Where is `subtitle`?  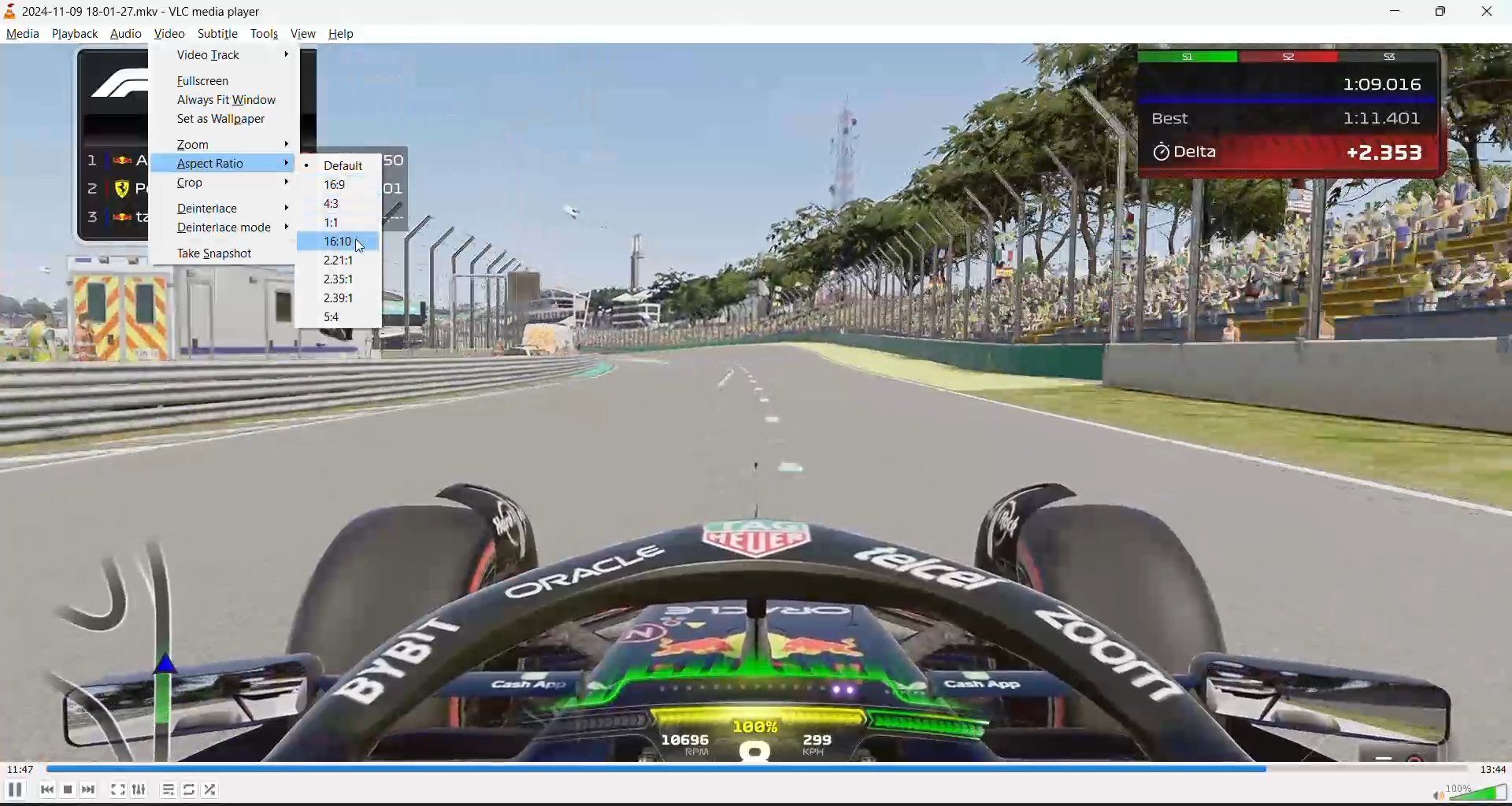 subtitle is located at coordinates (217, 35).